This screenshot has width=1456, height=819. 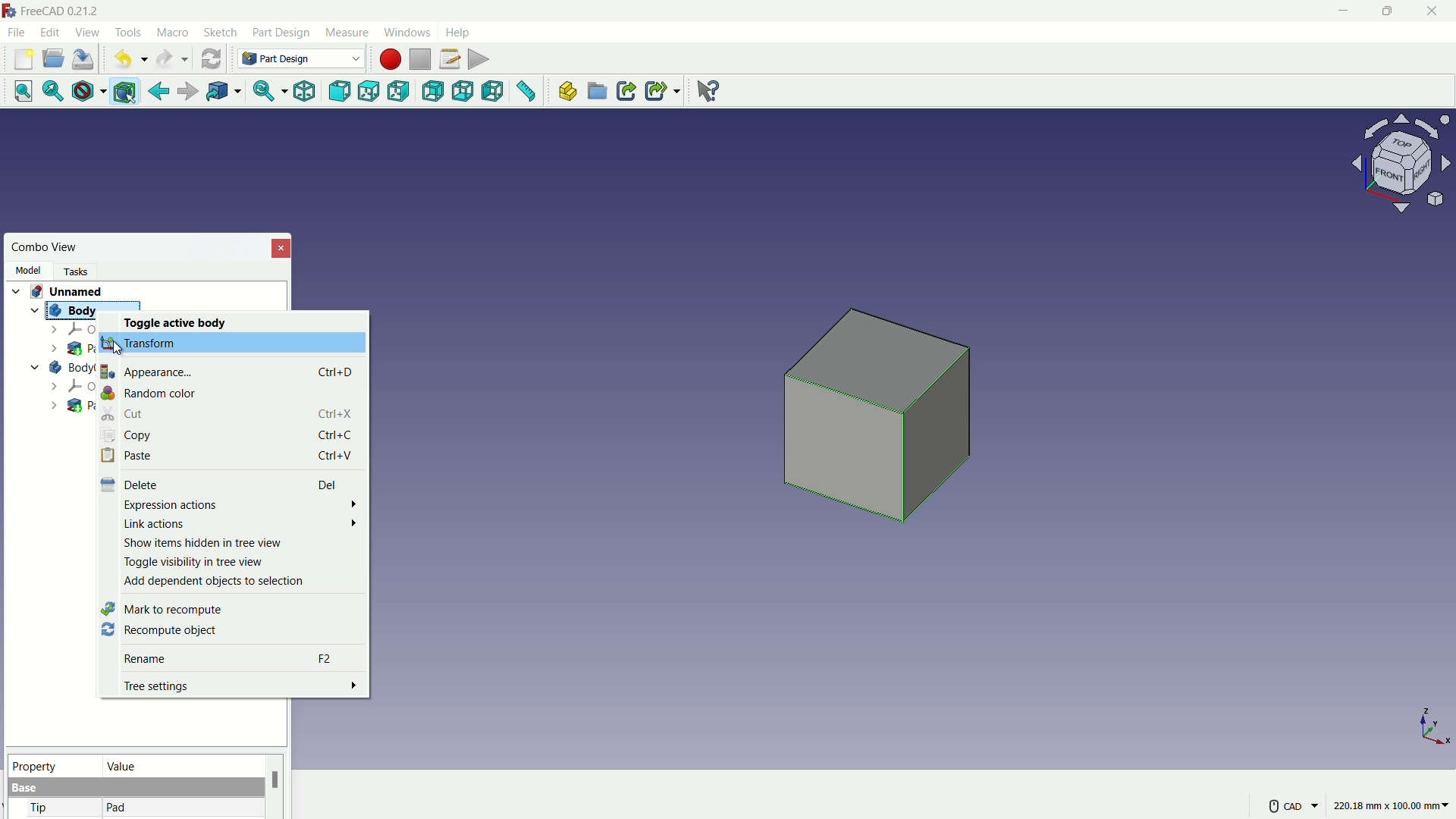 I want to click on Body, so click(x=72, y=308).